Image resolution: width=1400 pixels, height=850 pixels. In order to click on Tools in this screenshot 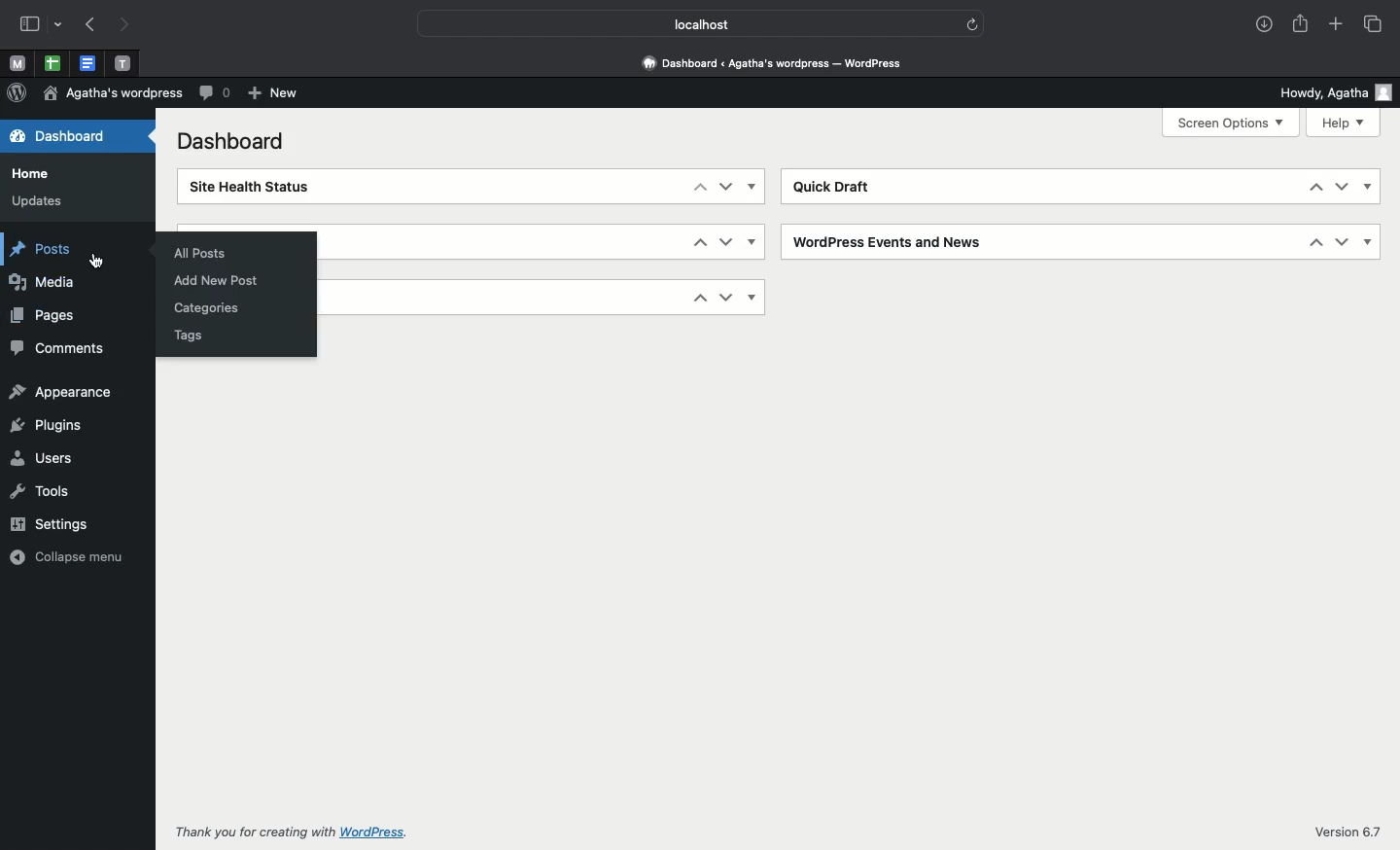, I will do `click(46, 494)`.